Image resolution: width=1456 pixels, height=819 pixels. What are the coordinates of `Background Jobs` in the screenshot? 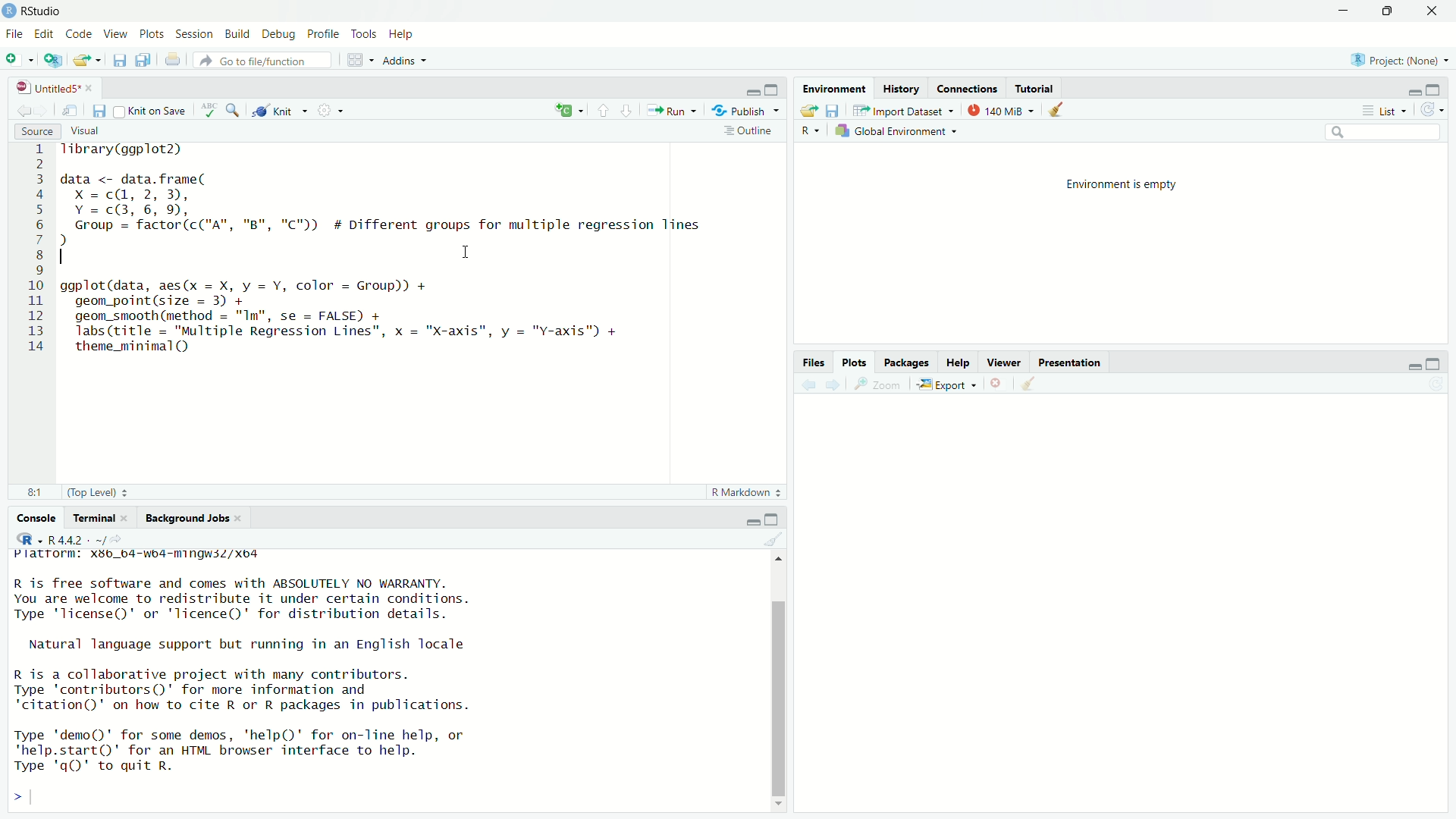 It's located at (184, 517).